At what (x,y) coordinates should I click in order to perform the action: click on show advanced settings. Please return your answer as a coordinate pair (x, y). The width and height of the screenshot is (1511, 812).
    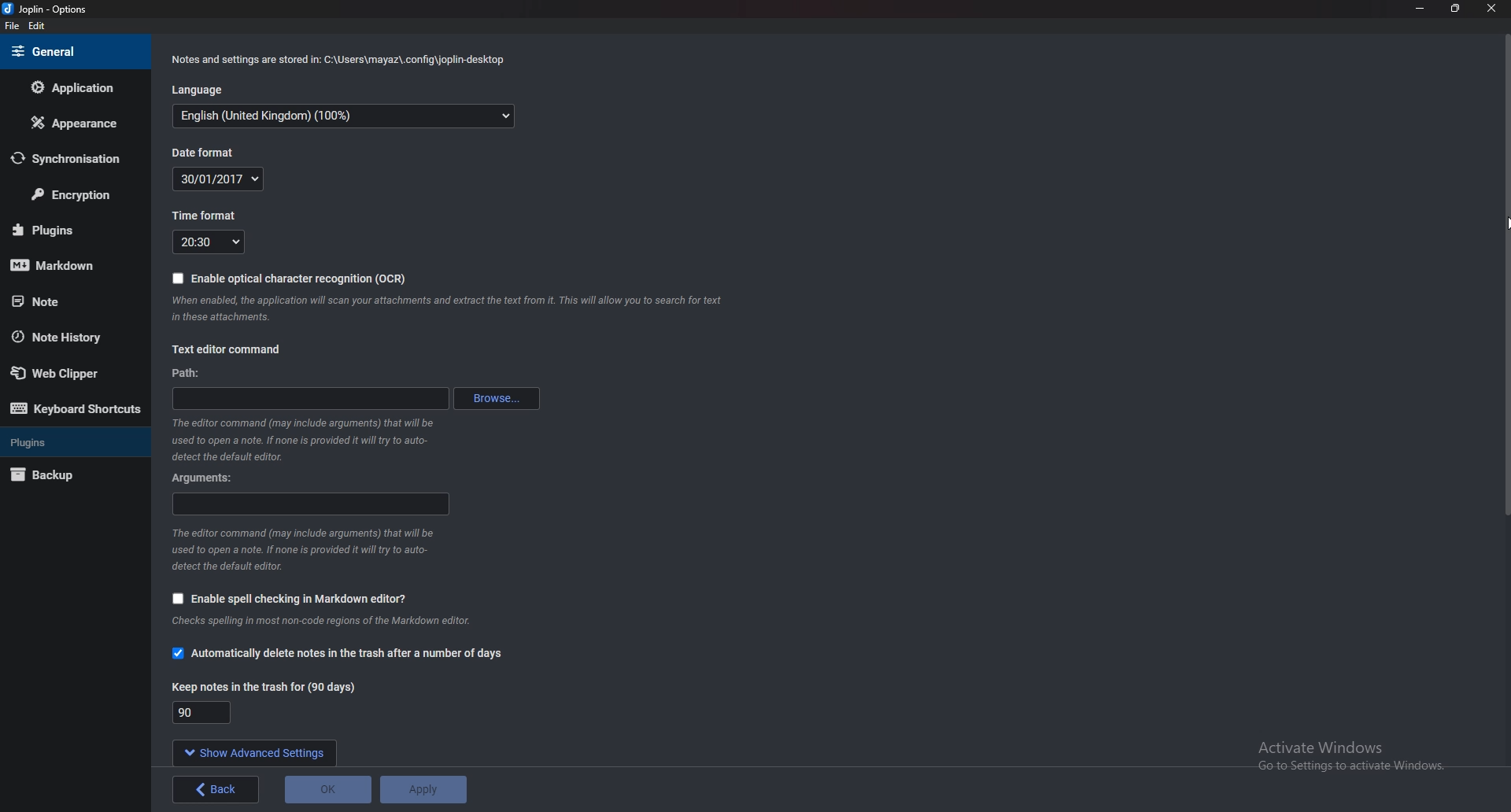
    Looking at the image, I should click on (253, 754).